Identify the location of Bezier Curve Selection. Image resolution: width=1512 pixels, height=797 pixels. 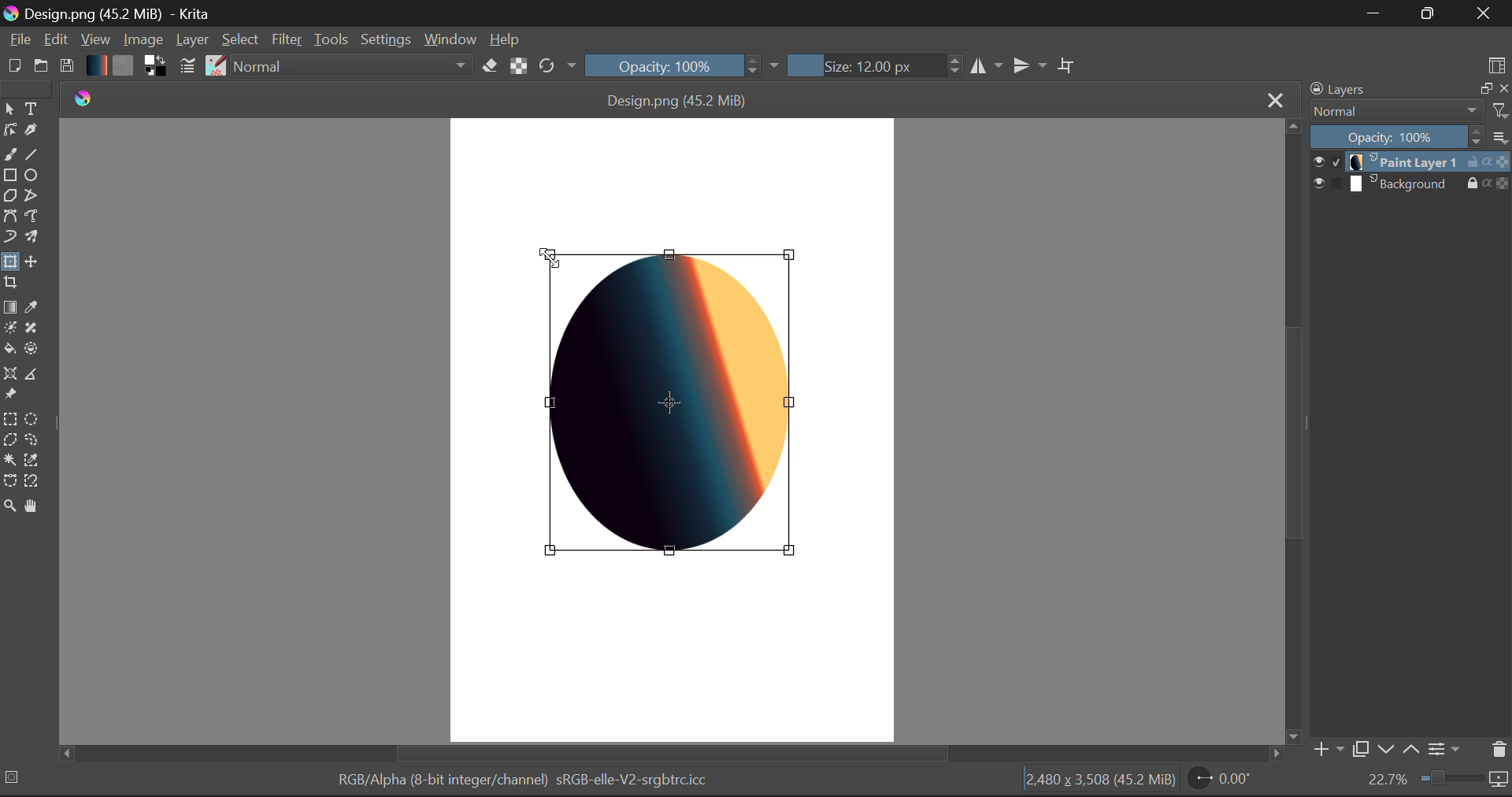
(9, 483).